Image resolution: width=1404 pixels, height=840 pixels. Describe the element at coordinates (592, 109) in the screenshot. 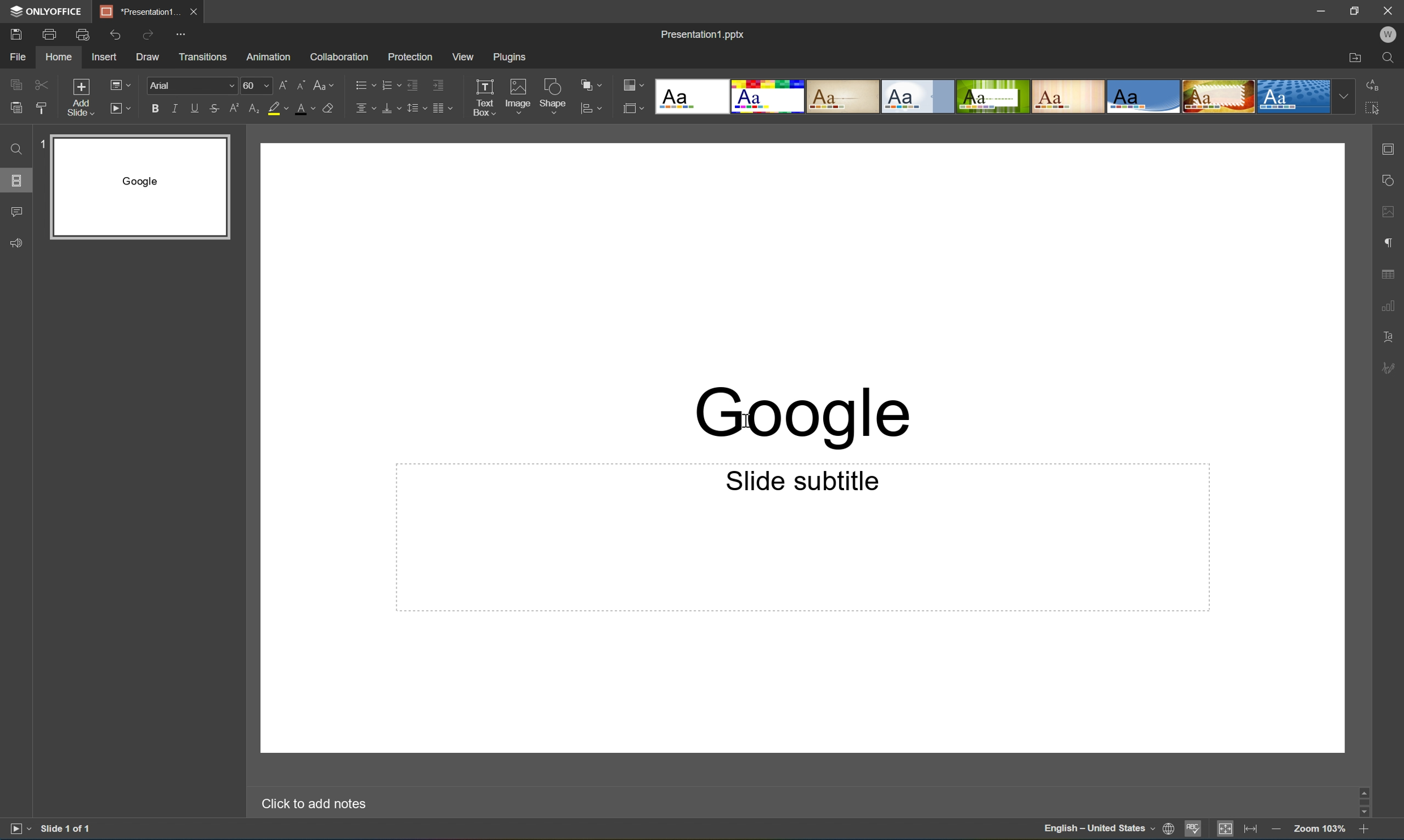

I see `Align shape` at that location.